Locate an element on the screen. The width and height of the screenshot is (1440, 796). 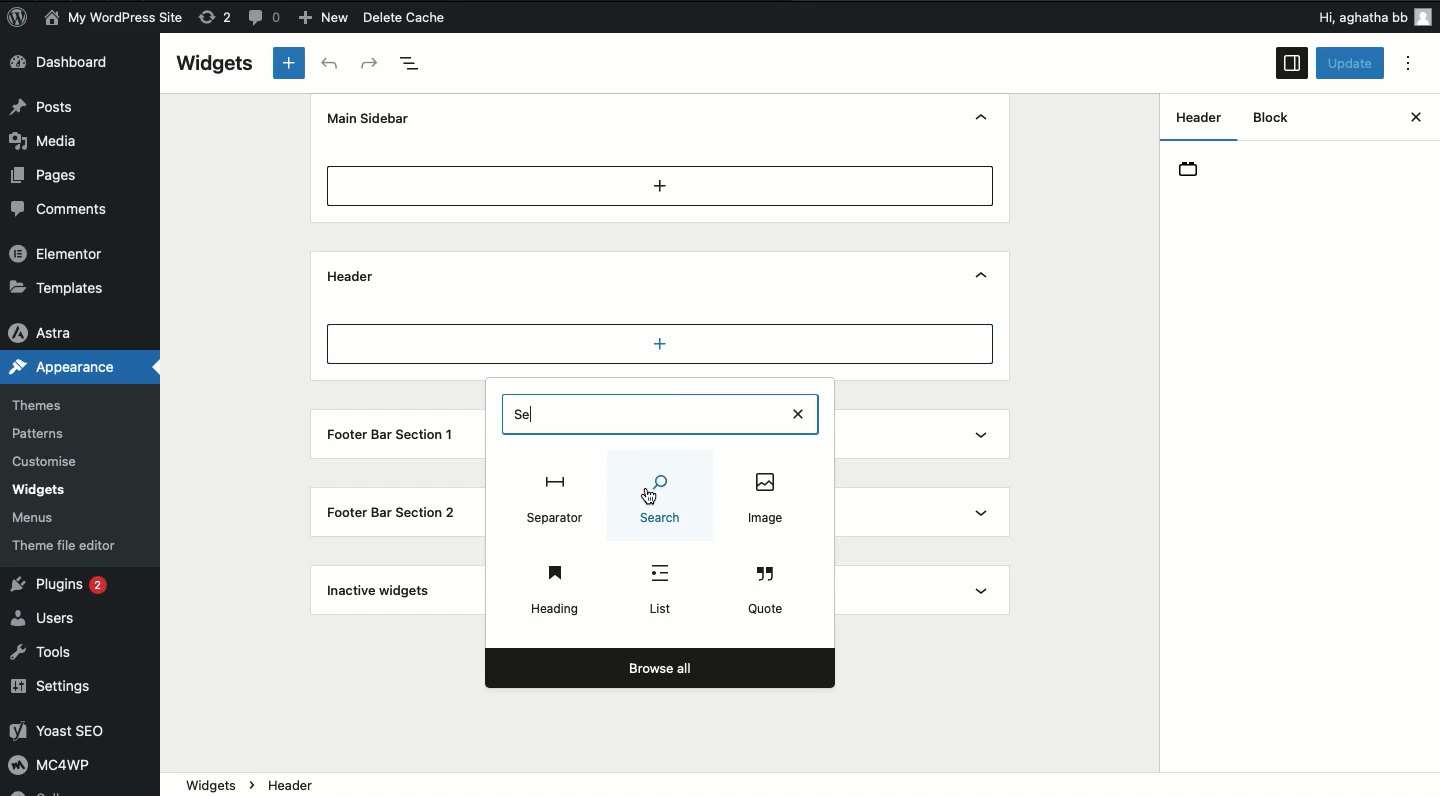
Document overview is located at coordinates (418, 63).